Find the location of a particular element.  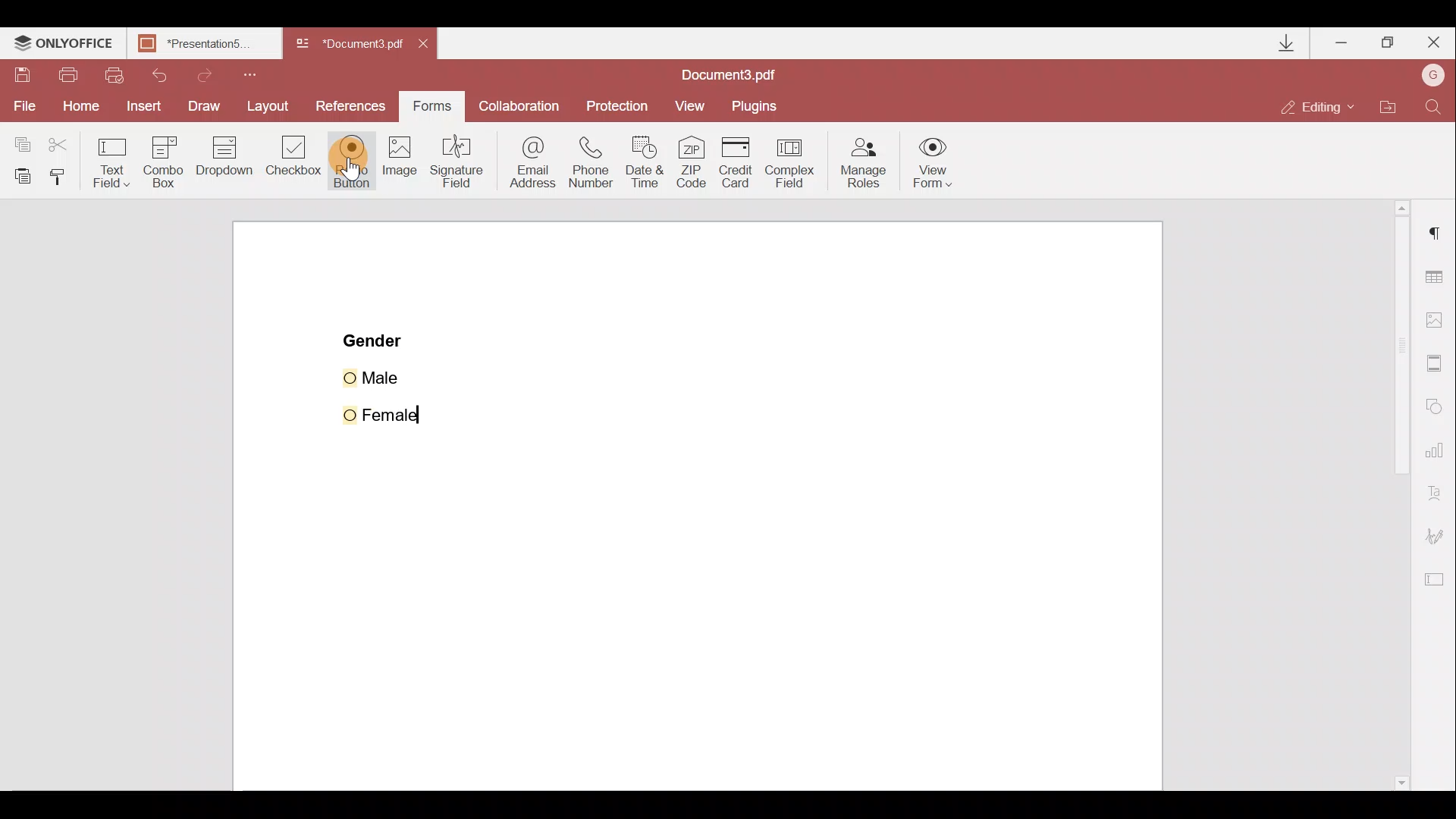

Table settings is located at coordinates (1437, 274).